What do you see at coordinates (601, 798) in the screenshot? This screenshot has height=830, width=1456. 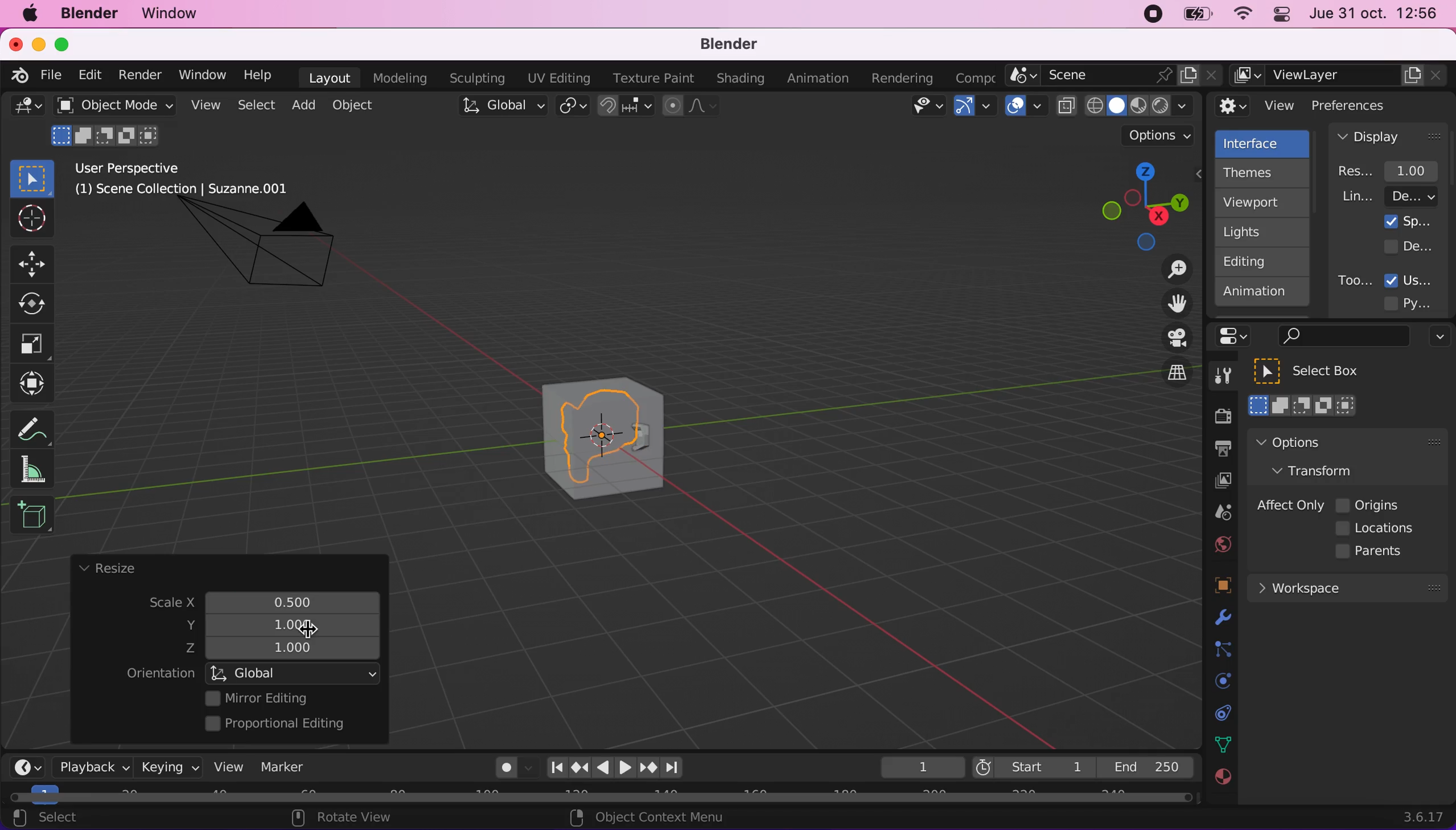 I see `horizontal scroll bar` at bounding box center [601, 798].